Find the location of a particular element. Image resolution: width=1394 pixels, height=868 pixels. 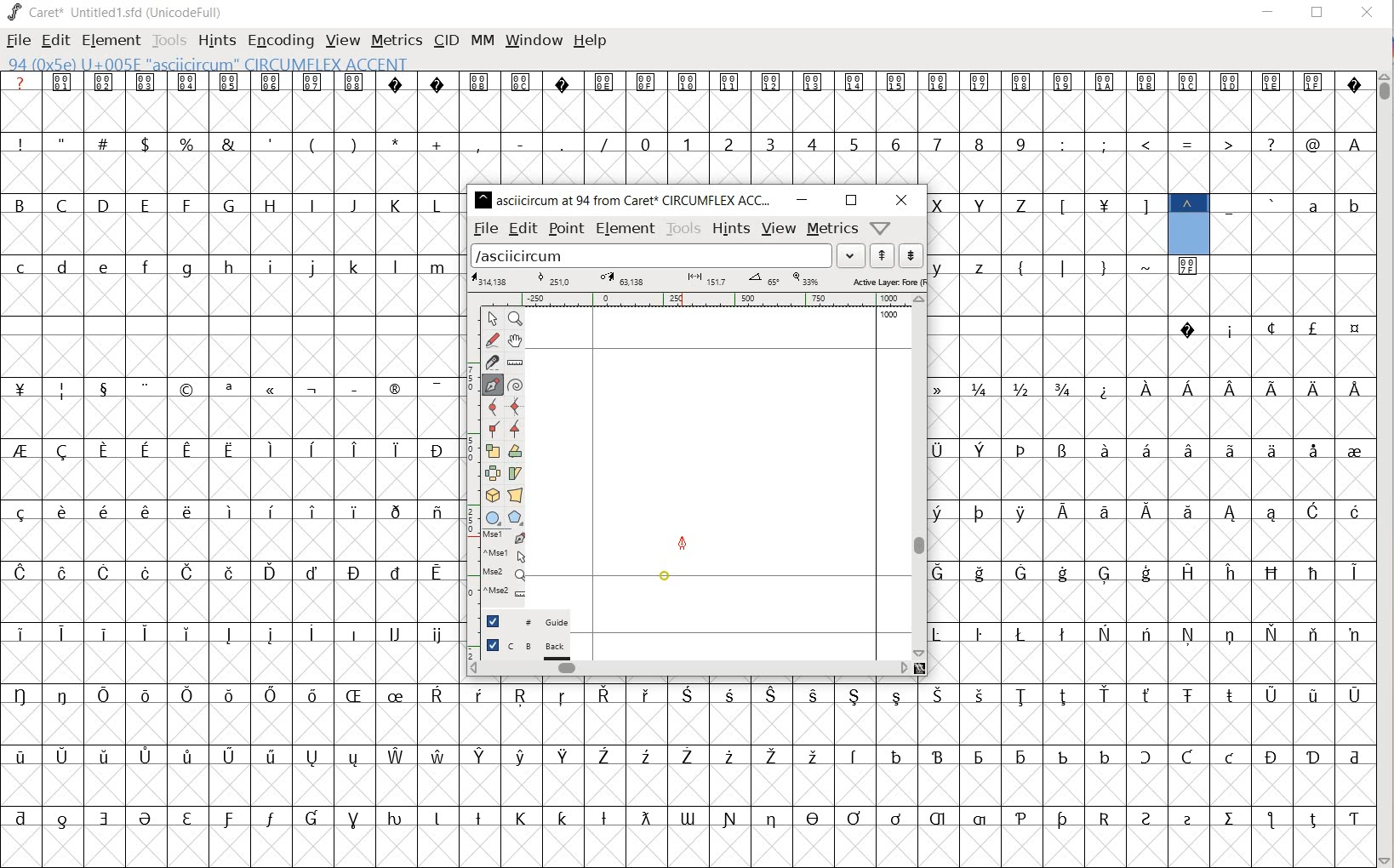

element is located at coordinates (626, 228).